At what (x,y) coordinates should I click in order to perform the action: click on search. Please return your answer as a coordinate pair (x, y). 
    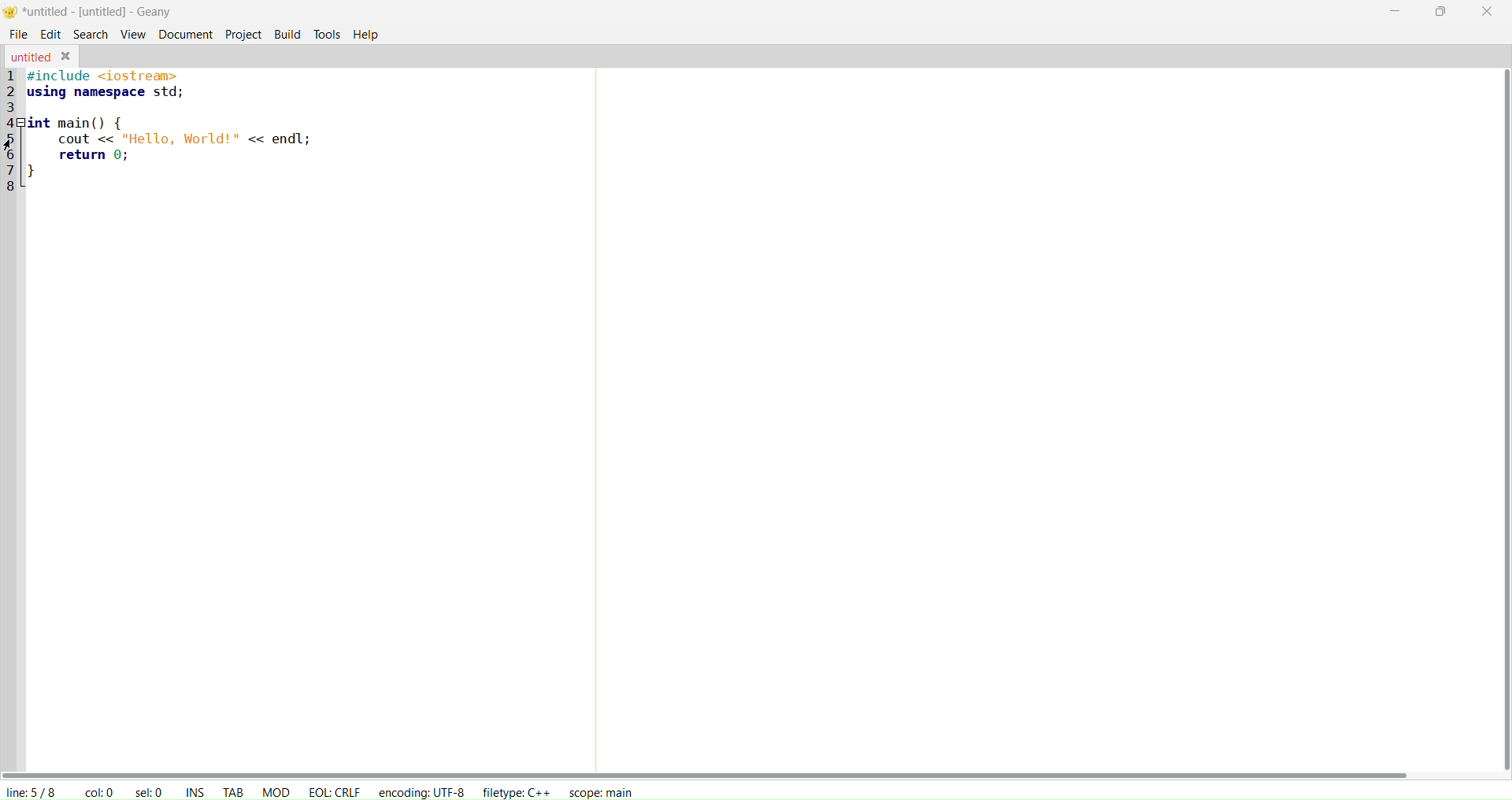
    Looking at the image, I should click on (91, 34).